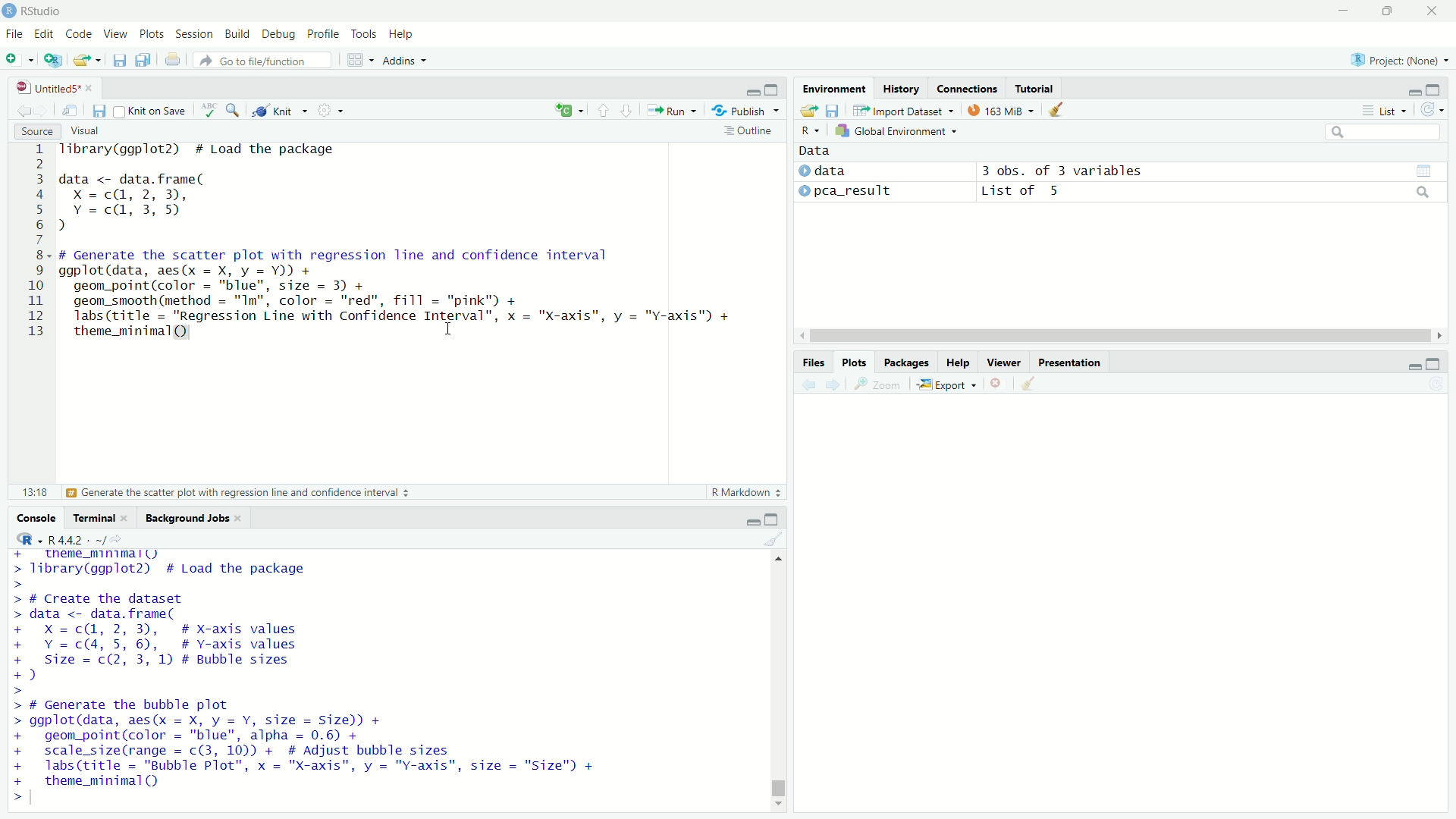 This screenshot has width=1456, height=819. Describe the element at coordinates (751, 519) in the screenshot. I see `minimize` at that location.